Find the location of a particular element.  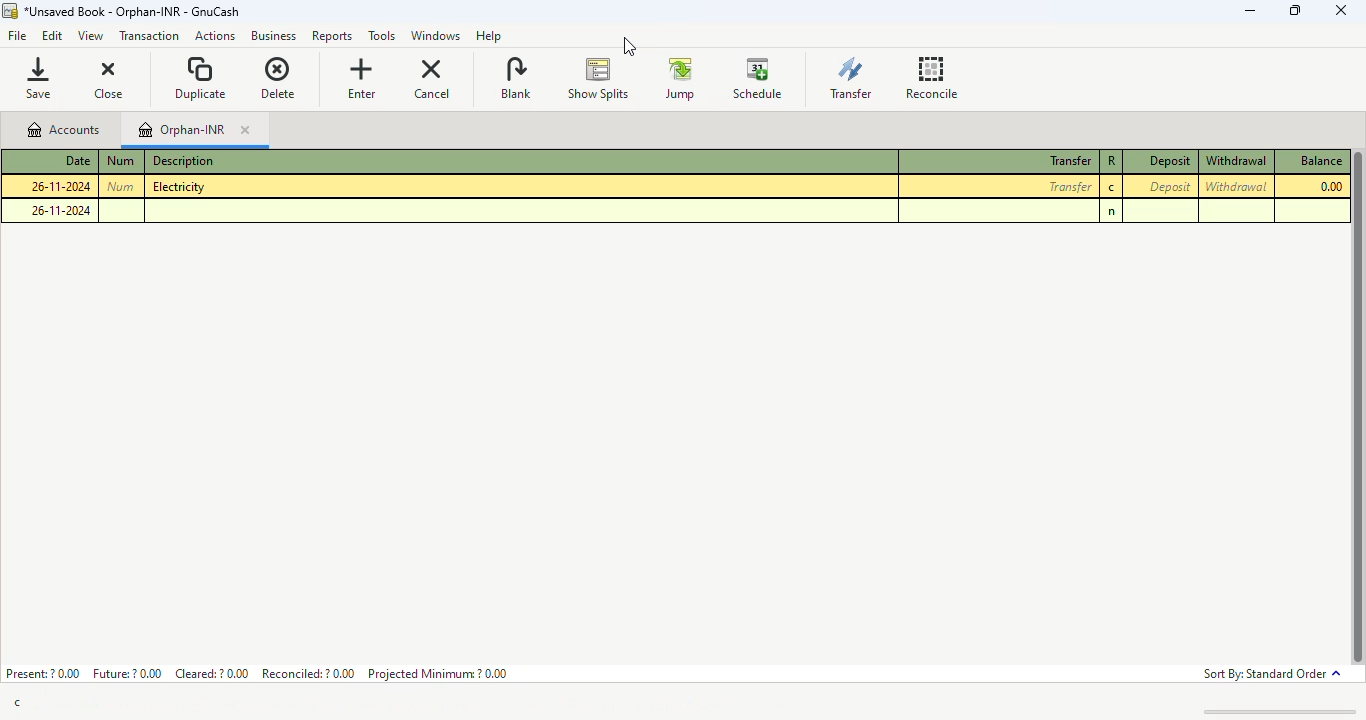

logo is located at coordinates (10, 11).